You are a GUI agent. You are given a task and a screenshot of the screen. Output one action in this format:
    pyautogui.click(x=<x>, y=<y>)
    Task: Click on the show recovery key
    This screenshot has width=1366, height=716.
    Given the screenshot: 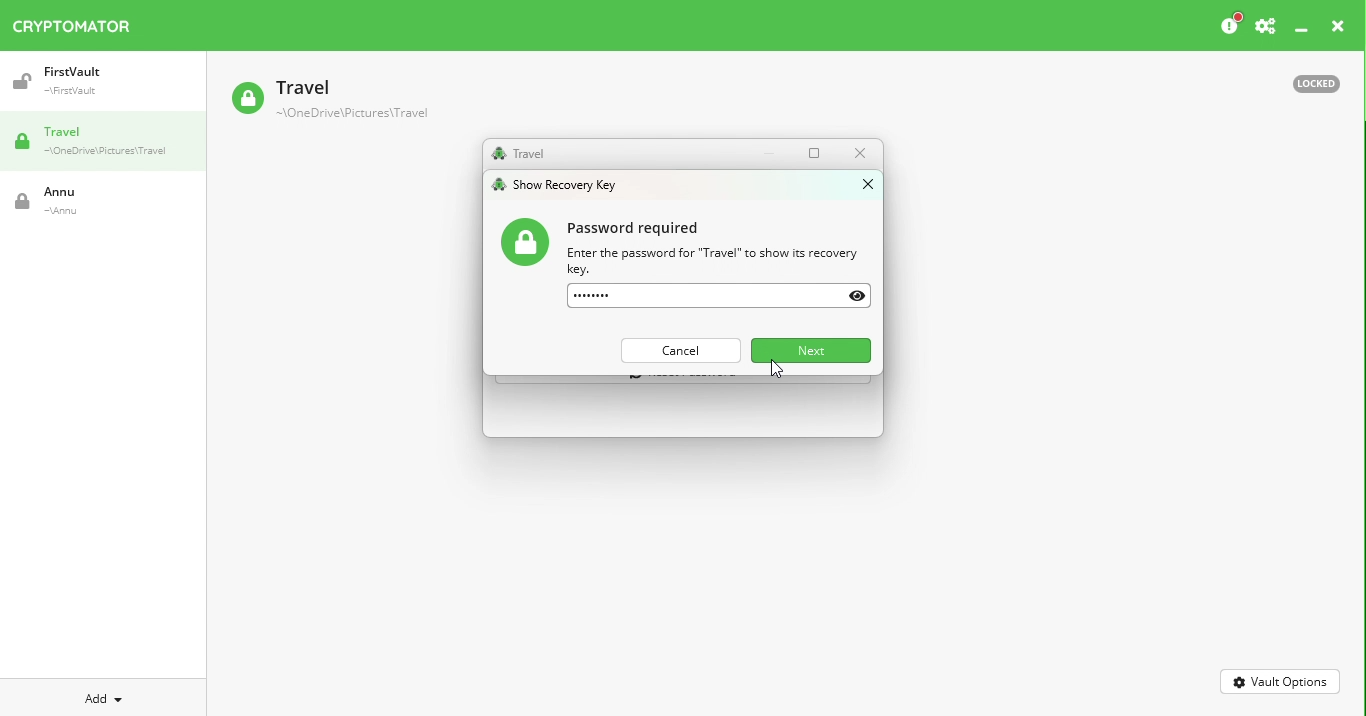 What is the action you would take?
    pyautogui.click(x=562, y=184)
    